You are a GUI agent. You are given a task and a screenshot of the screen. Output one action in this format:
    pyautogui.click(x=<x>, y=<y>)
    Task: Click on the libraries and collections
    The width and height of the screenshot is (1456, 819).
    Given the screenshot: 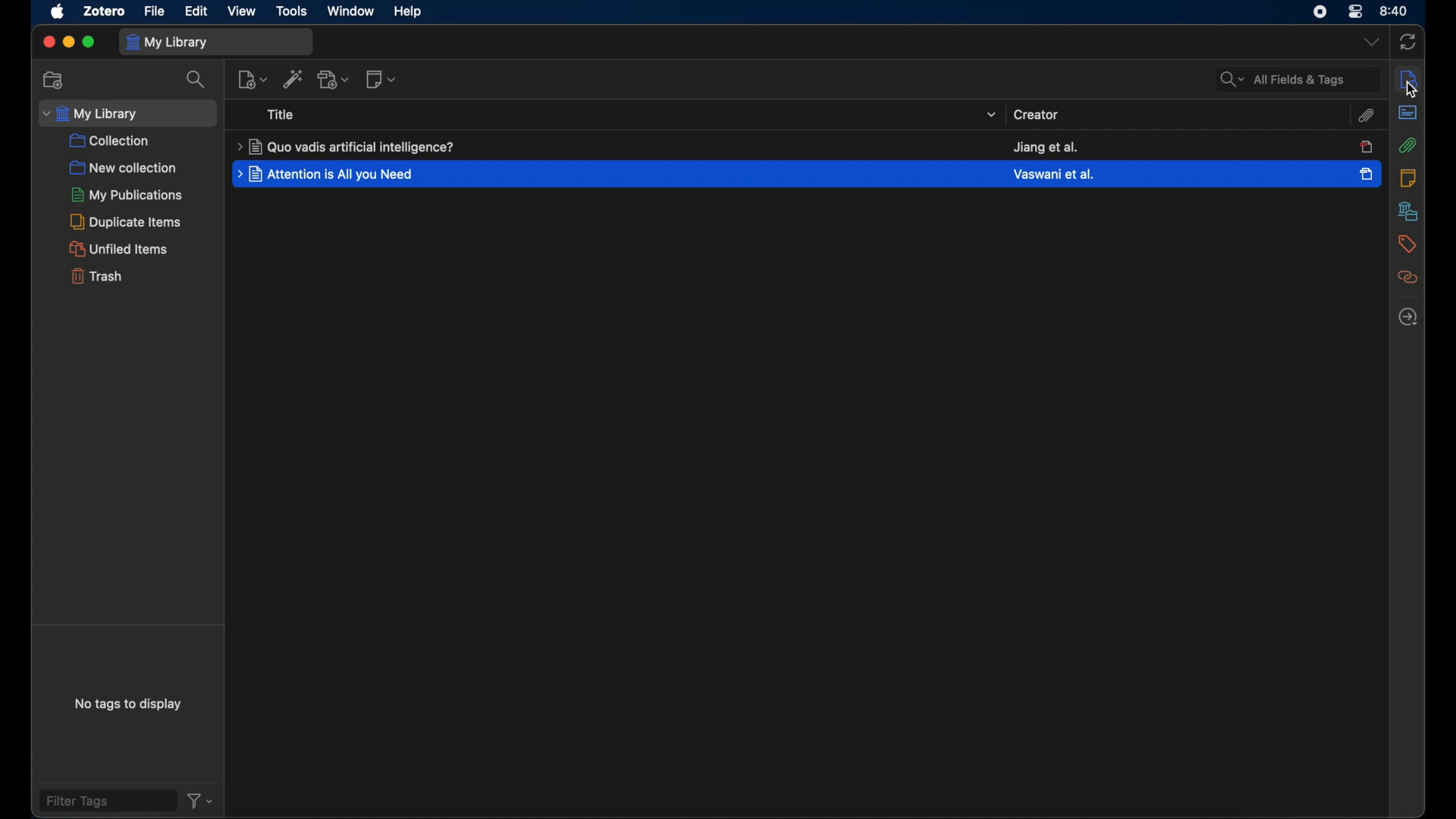 What is the action you would take?
    pyautogui.click(x=1407, y=212)
    